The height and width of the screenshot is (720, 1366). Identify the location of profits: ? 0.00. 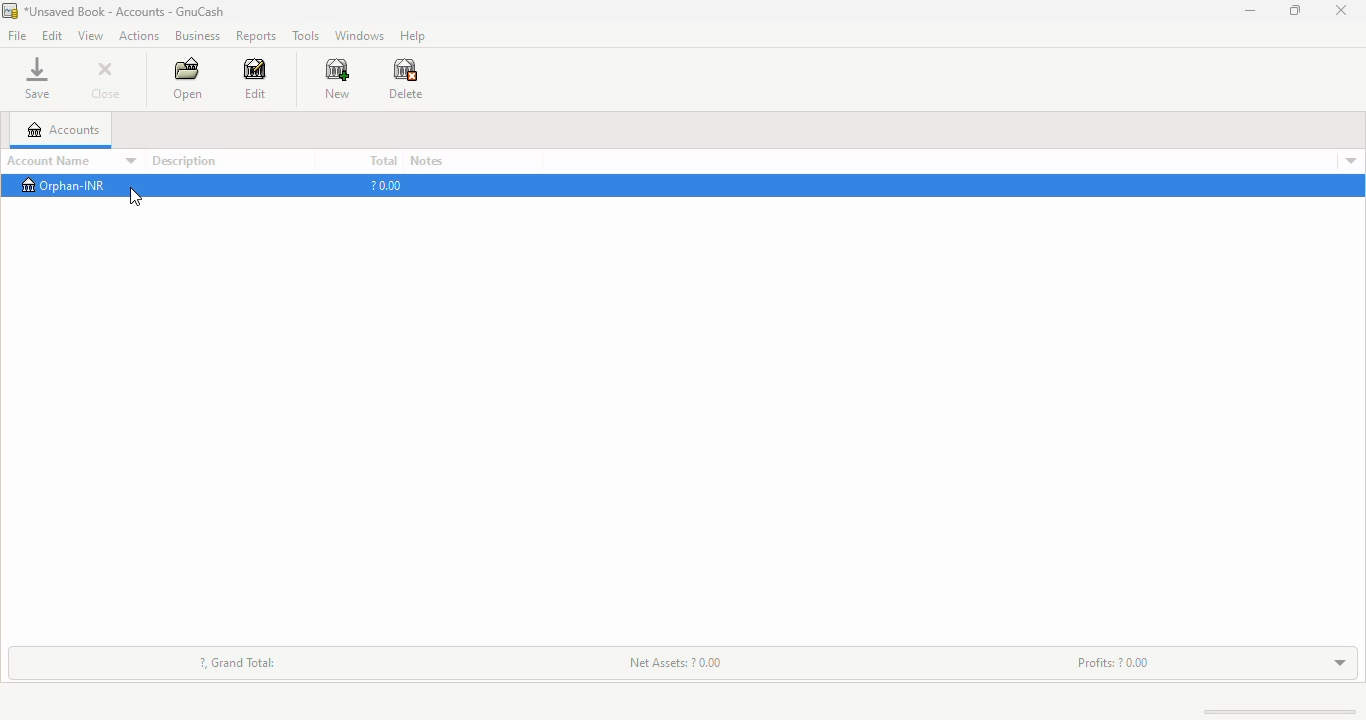
(1113, 662).